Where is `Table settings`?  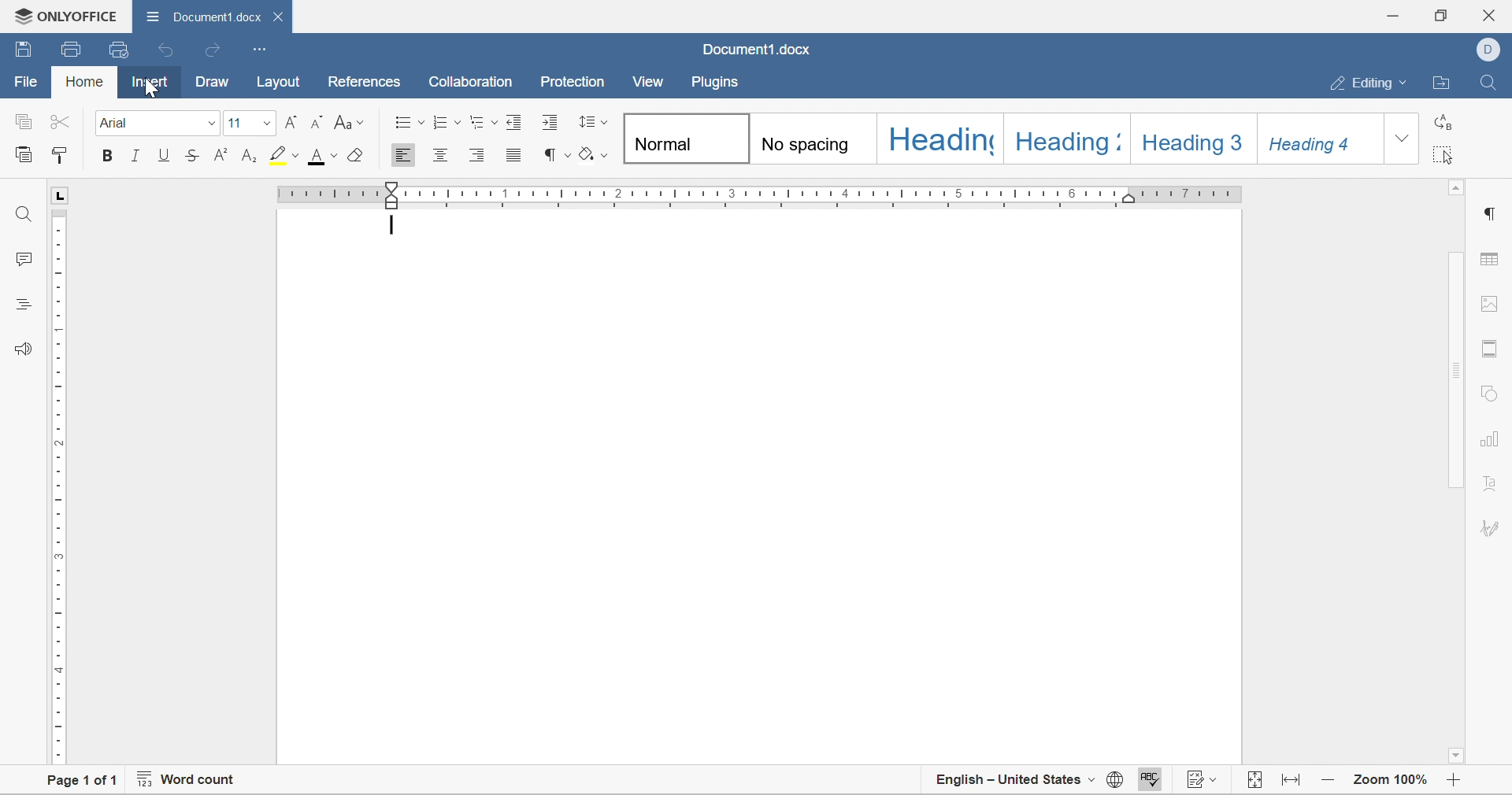
Table settings is located at coordinates (1494, 258).